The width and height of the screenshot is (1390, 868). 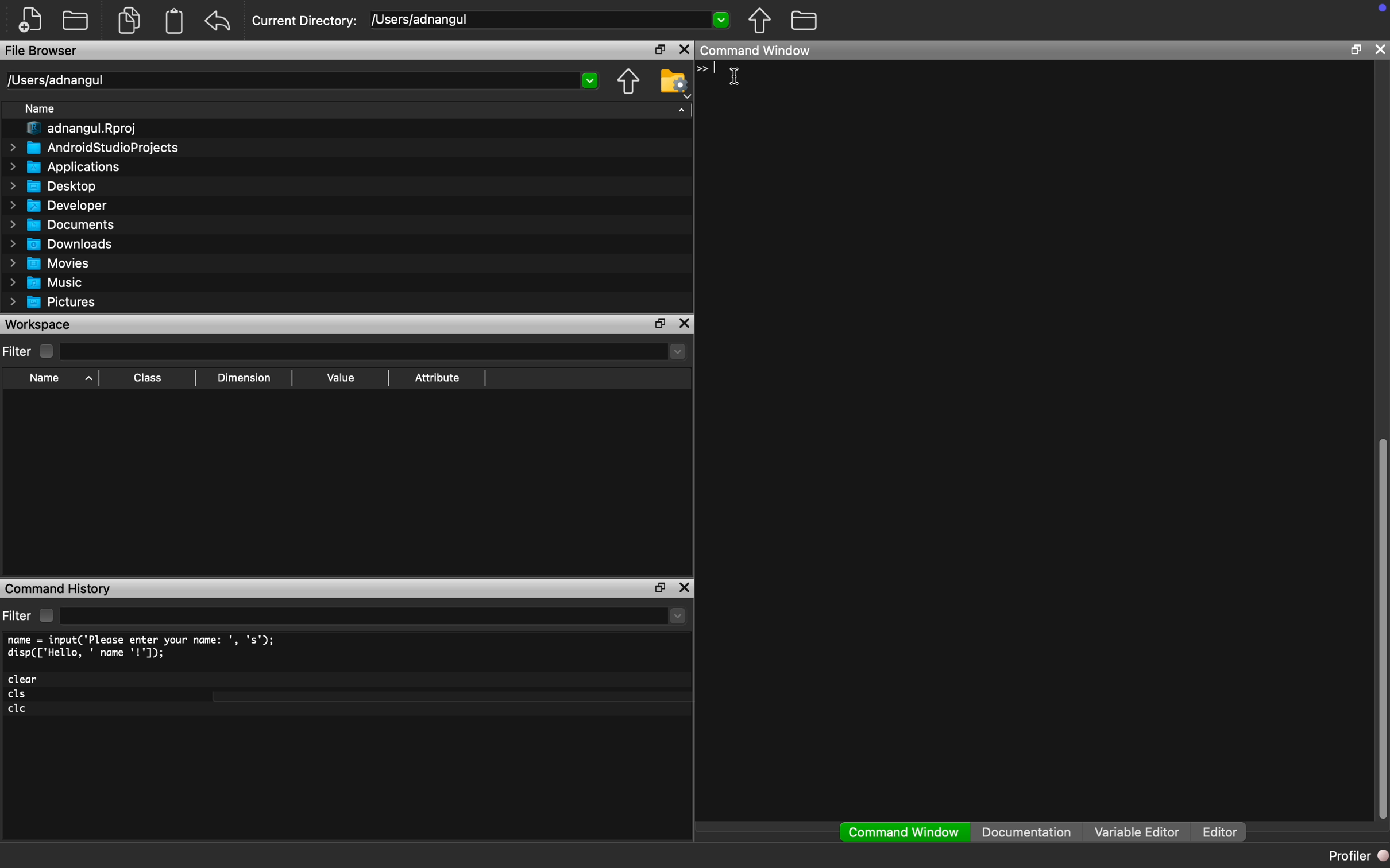 I want to click on Profiler, so click(x=1357, y=855).